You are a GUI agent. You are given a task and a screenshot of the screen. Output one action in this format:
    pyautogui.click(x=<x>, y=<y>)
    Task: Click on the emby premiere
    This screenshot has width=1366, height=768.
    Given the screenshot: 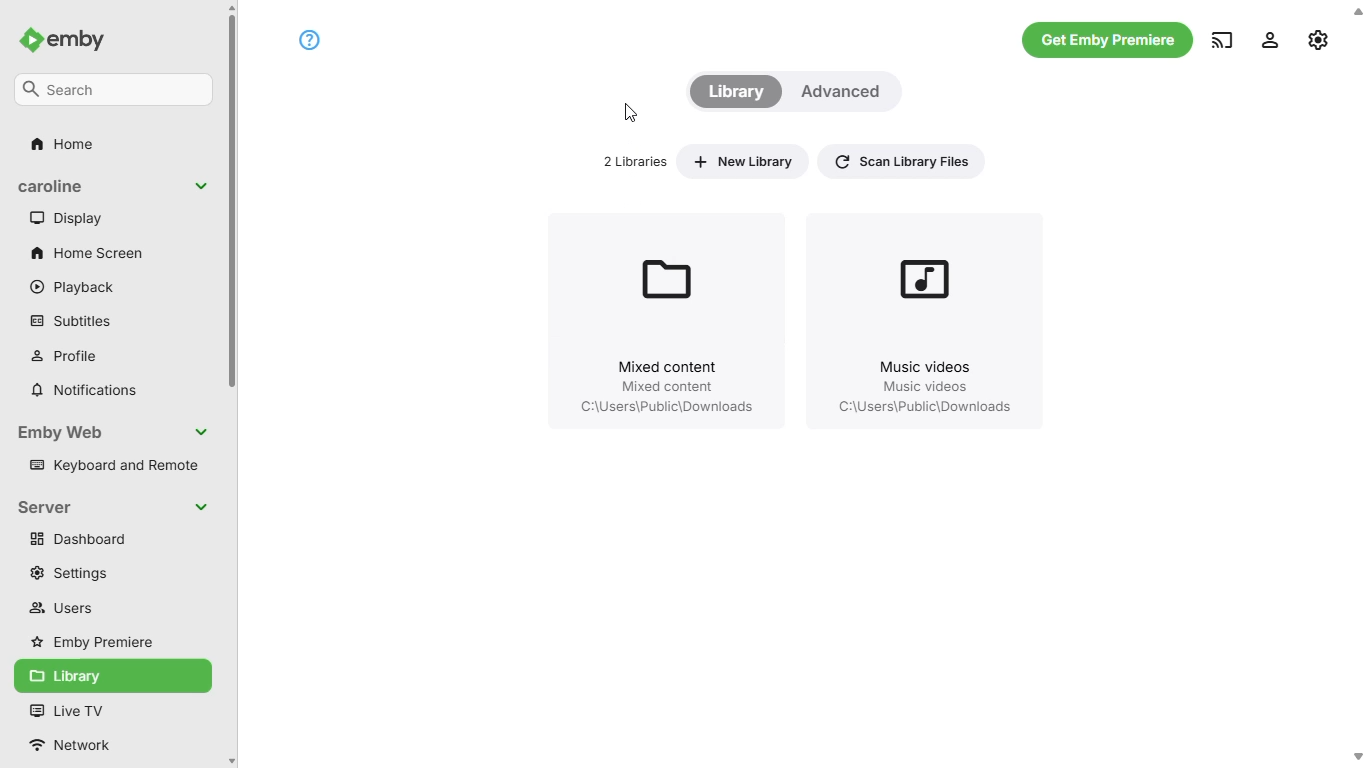 What is the action you would take?
    pyautogui.click(x=93, y=641)
    